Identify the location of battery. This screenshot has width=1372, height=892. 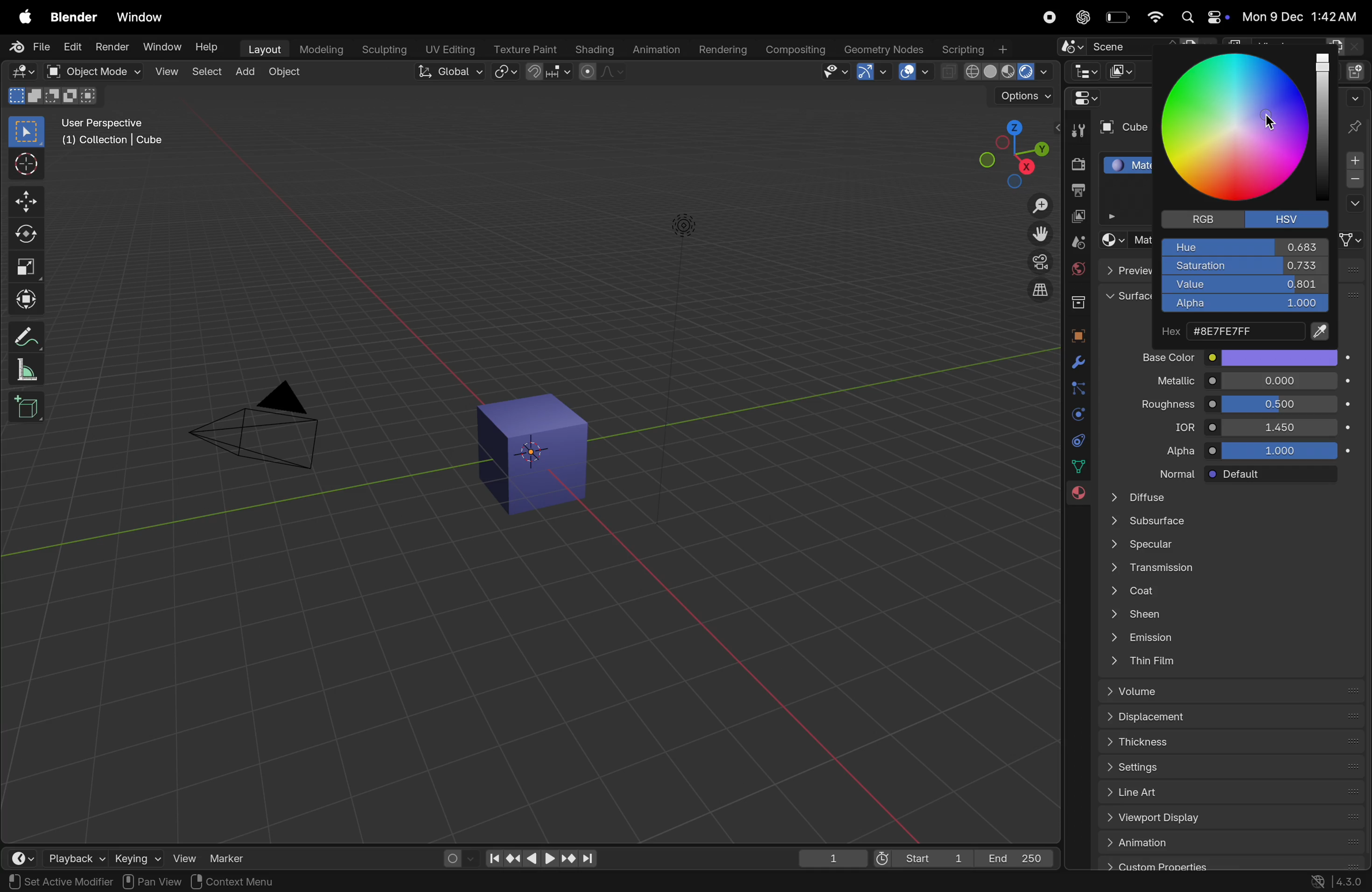
(1116, 17).